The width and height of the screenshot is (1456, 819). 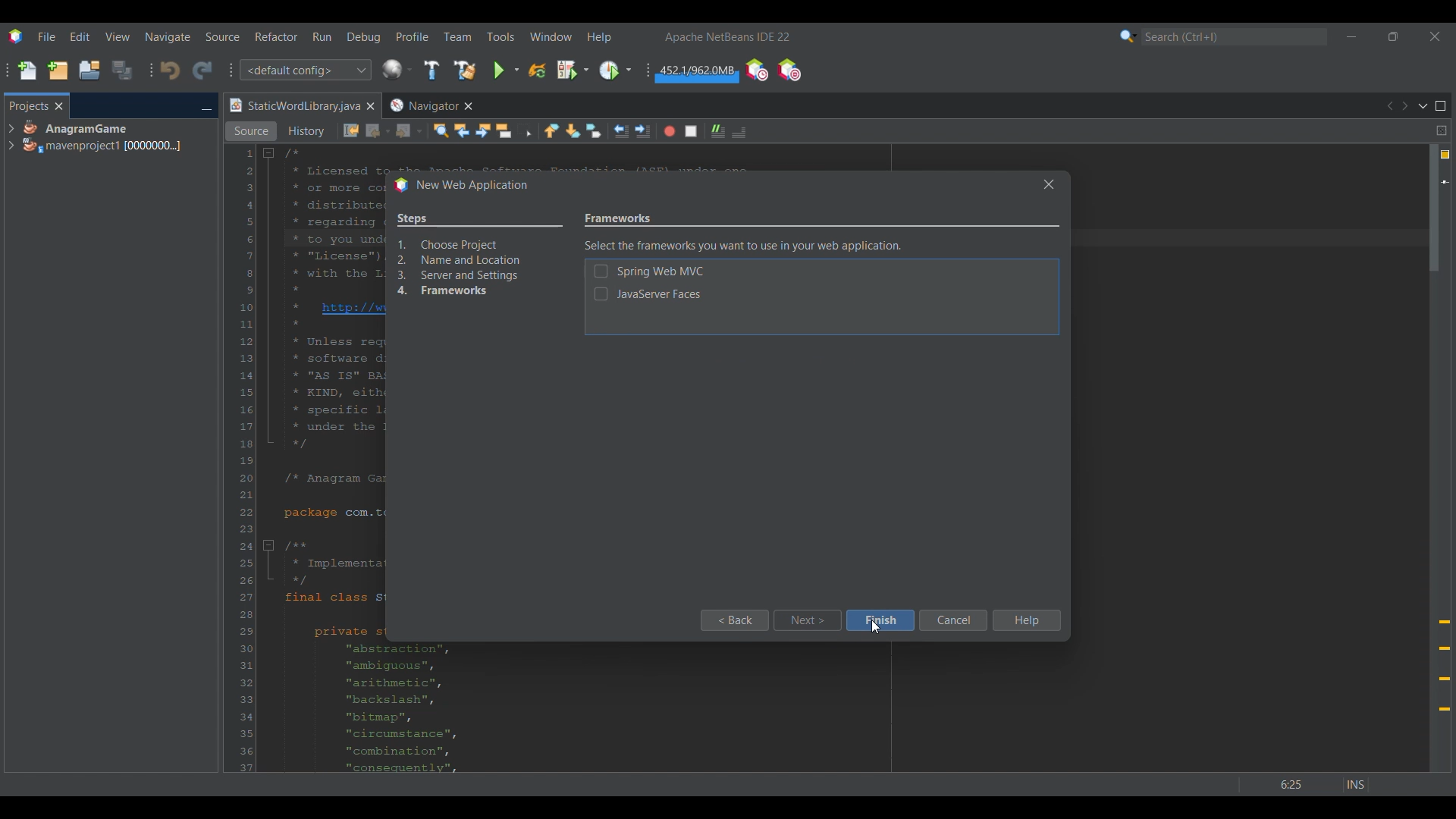 I want to click on Undo, so click(x=170, y=71).